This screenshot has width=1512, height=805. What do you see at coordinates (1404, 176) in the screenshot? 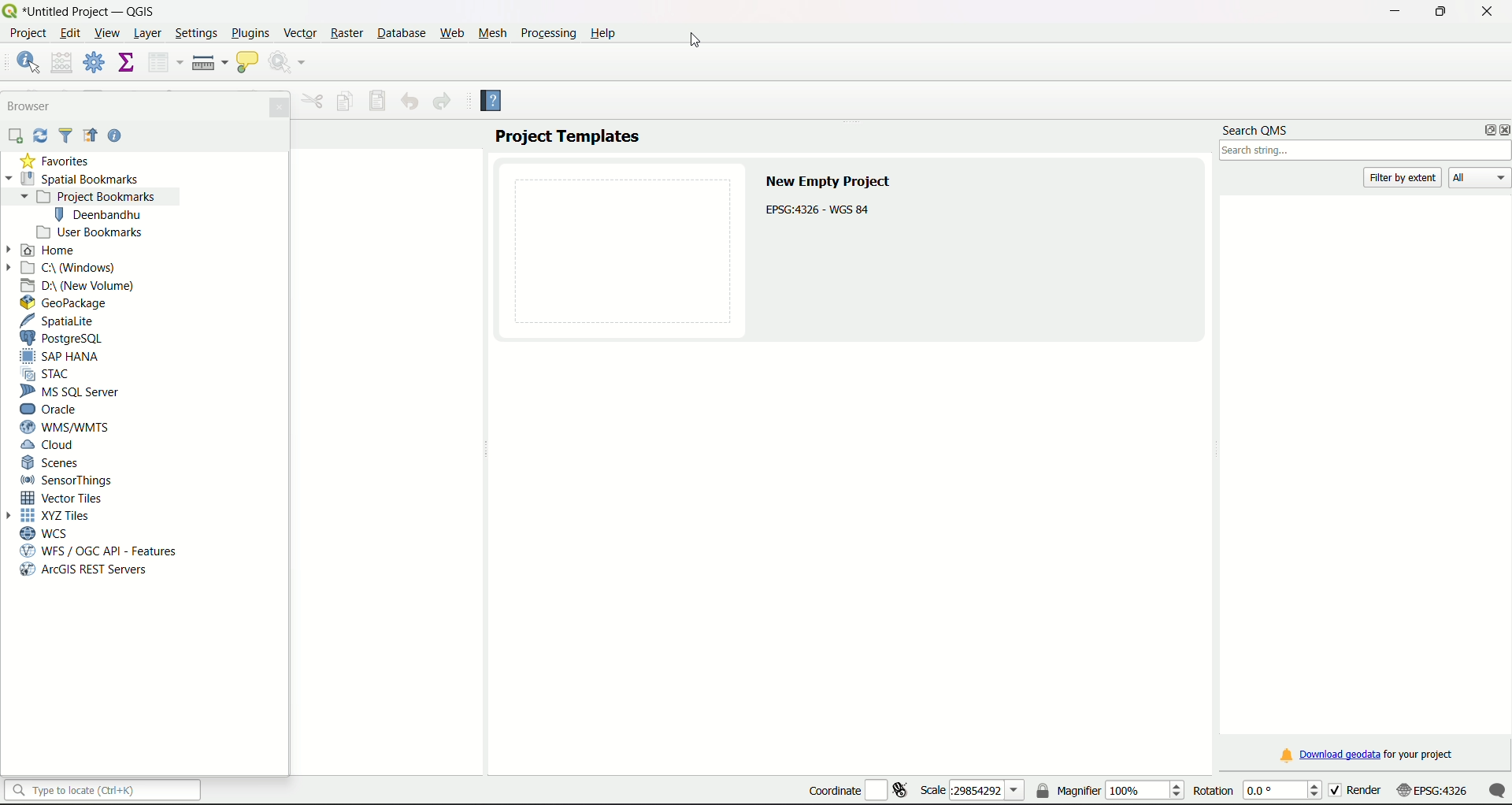
I see `filter by extent` at bounding box center [1404, 176].